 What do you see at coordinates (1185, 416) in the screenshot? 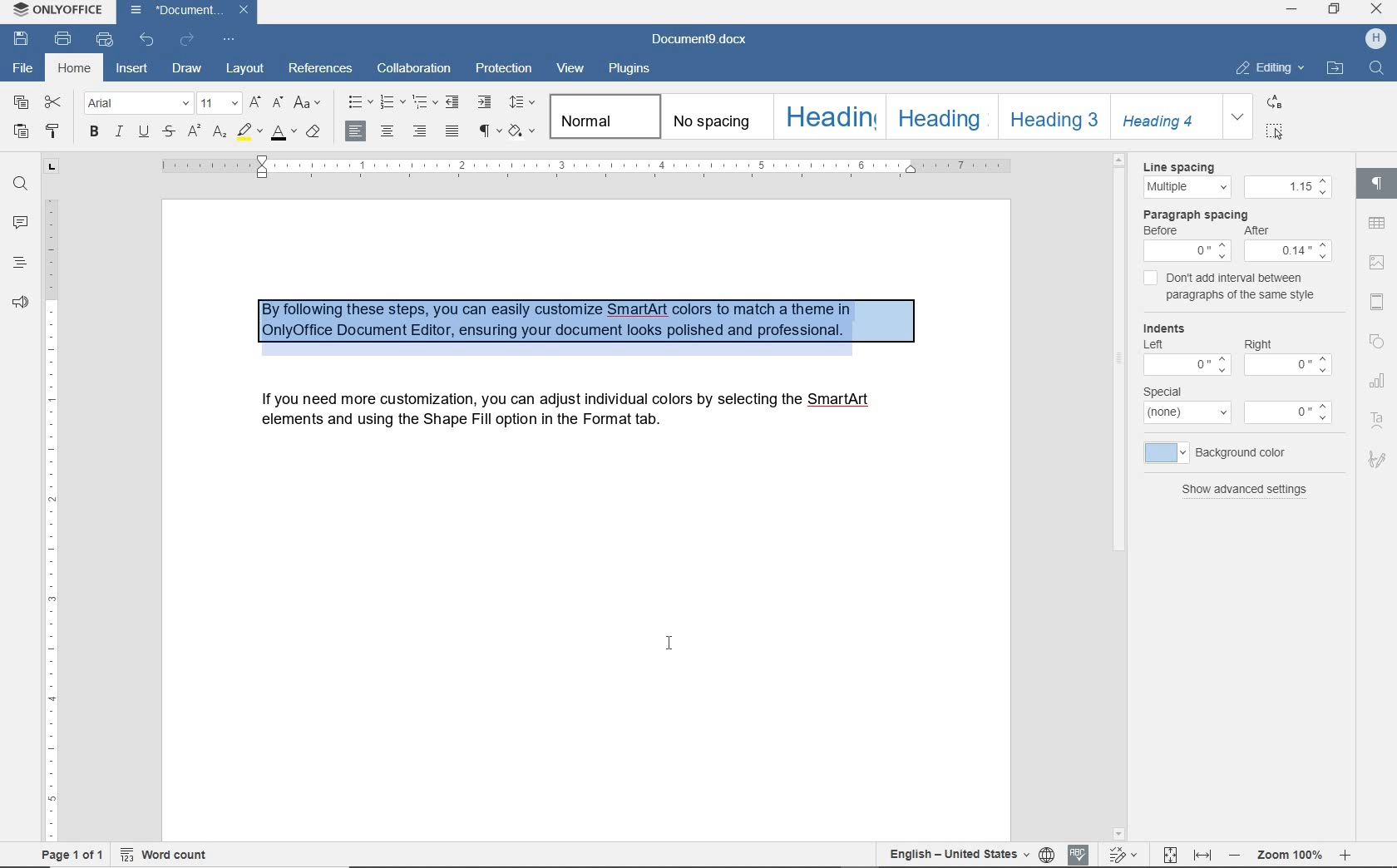
I see `(none)` at bounding box center [1185, 416].